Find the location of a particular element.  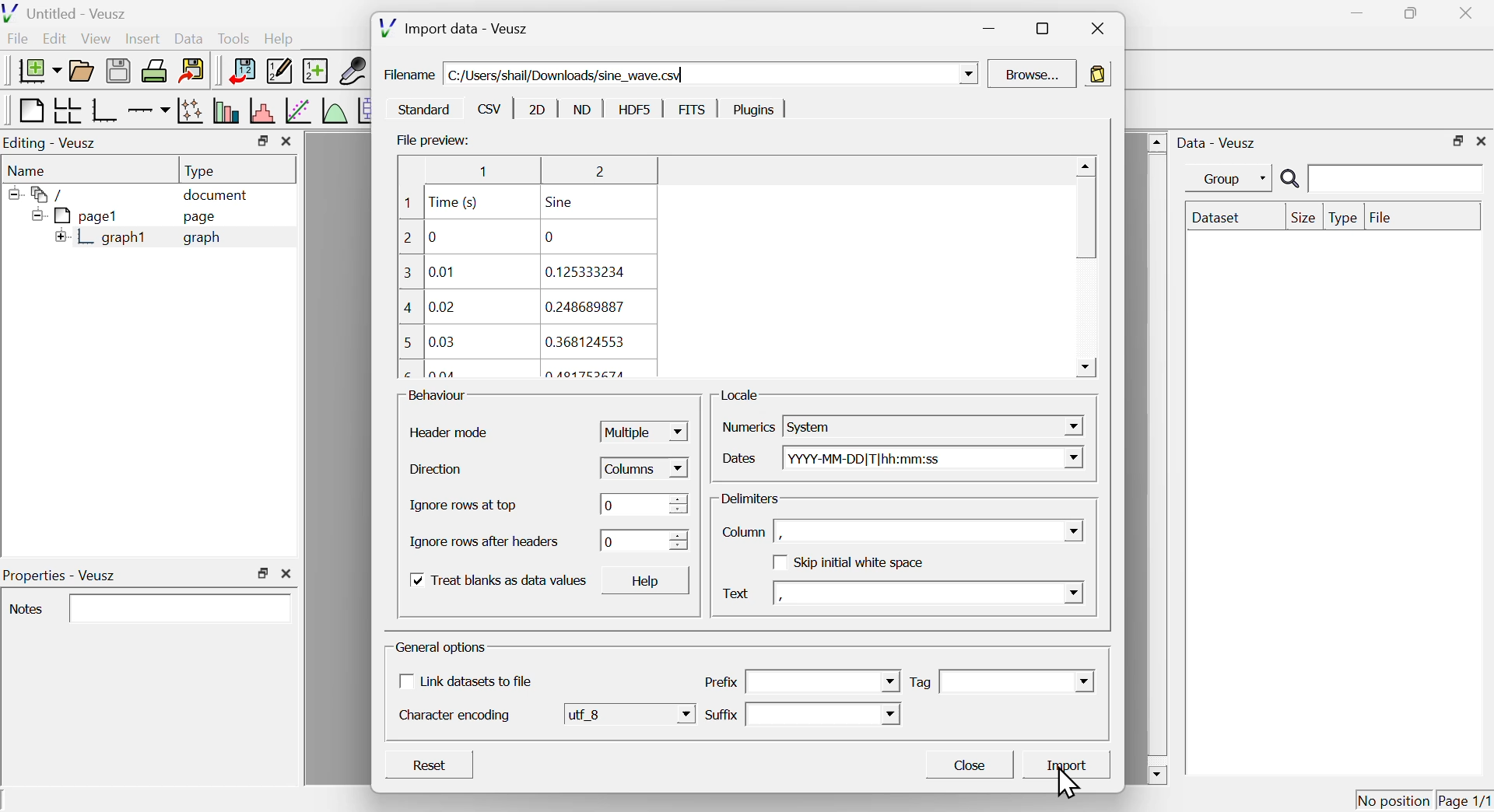

options is located at coordinates (1096, 75).